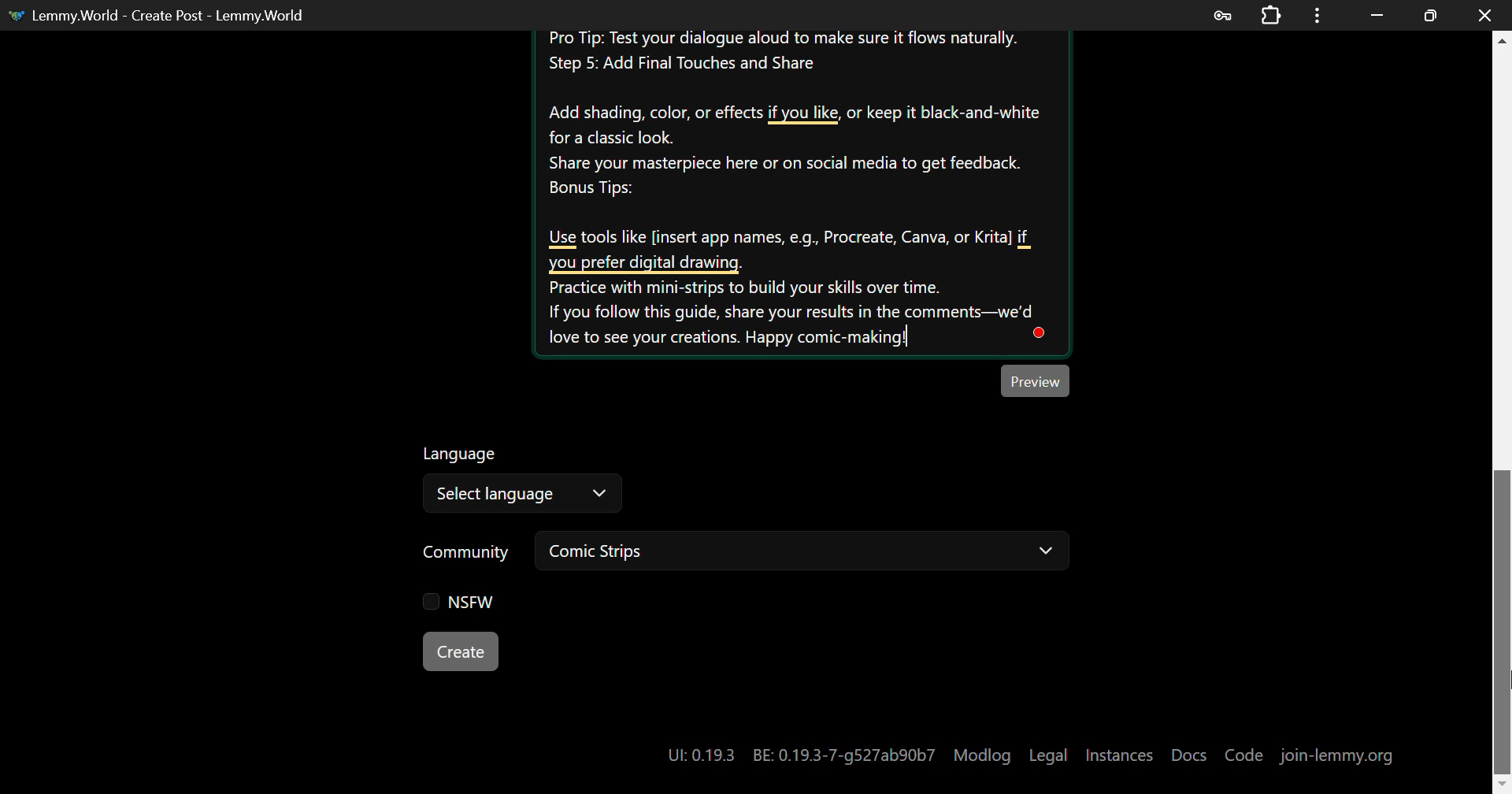 This screenshot has width=1512, height=794. I want to click on Select Language, so click(572, 477).